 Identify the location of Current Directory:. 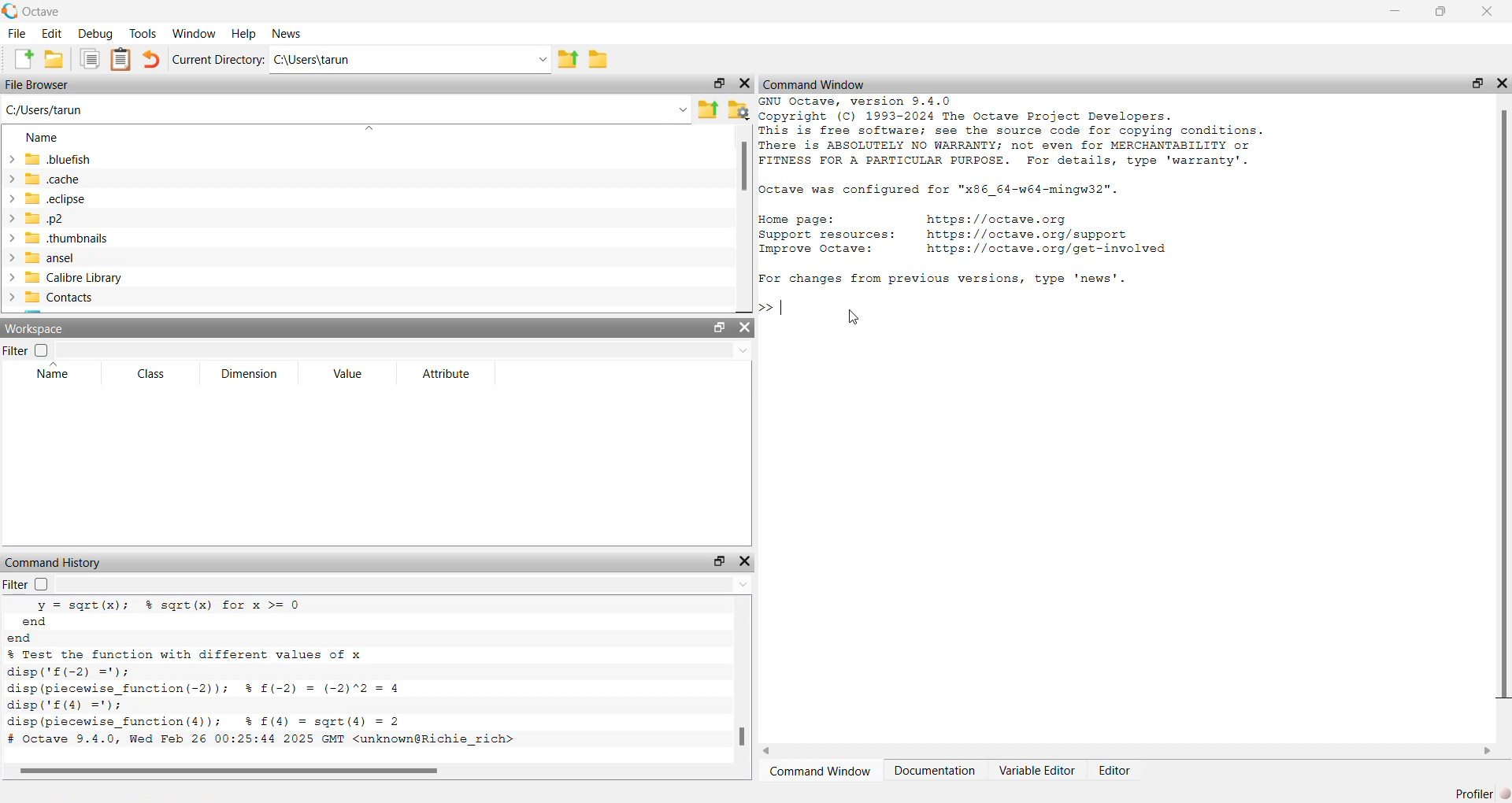
(217, 60).